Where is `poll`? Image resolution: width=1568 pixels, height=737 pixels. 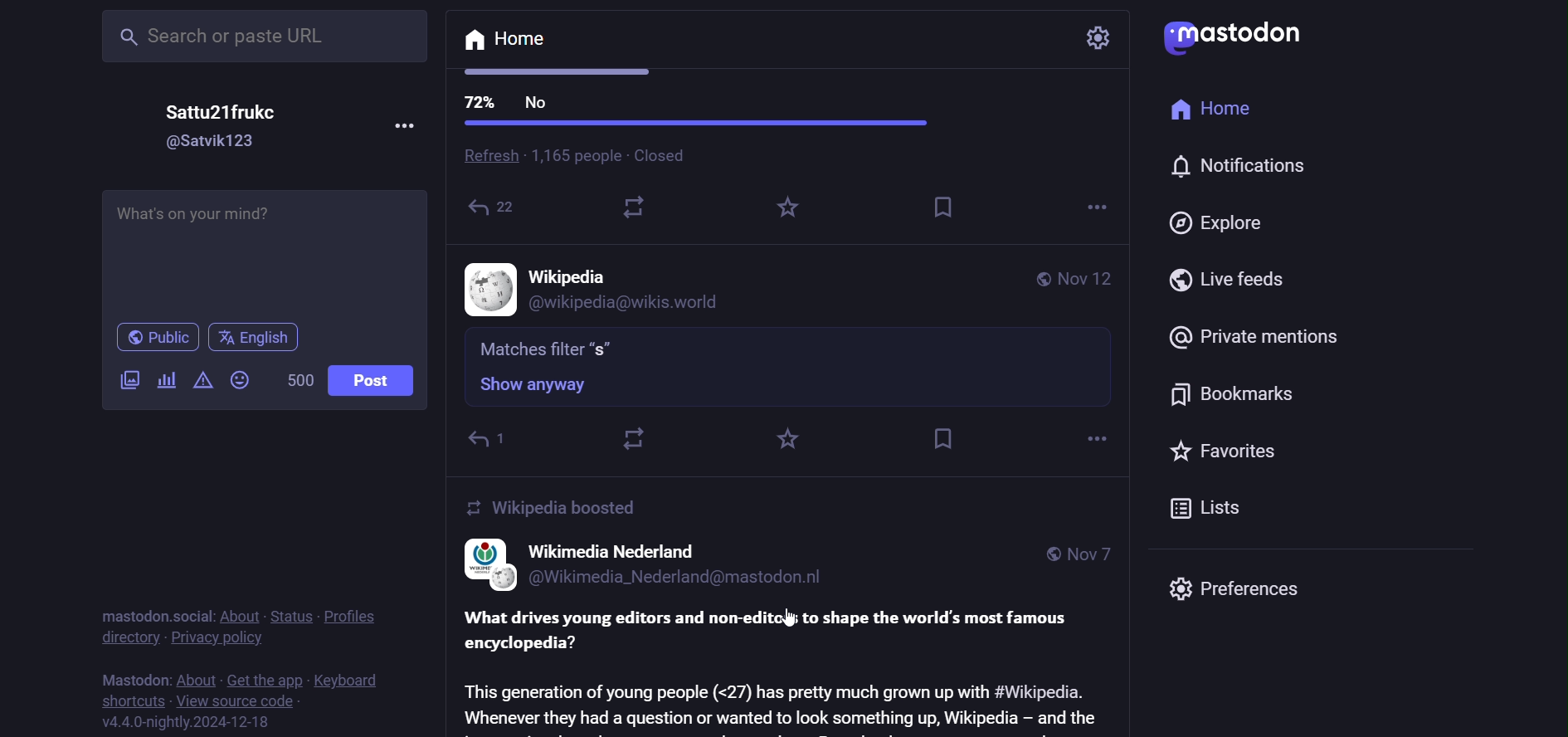 poll is located at coordinates (164, 383).